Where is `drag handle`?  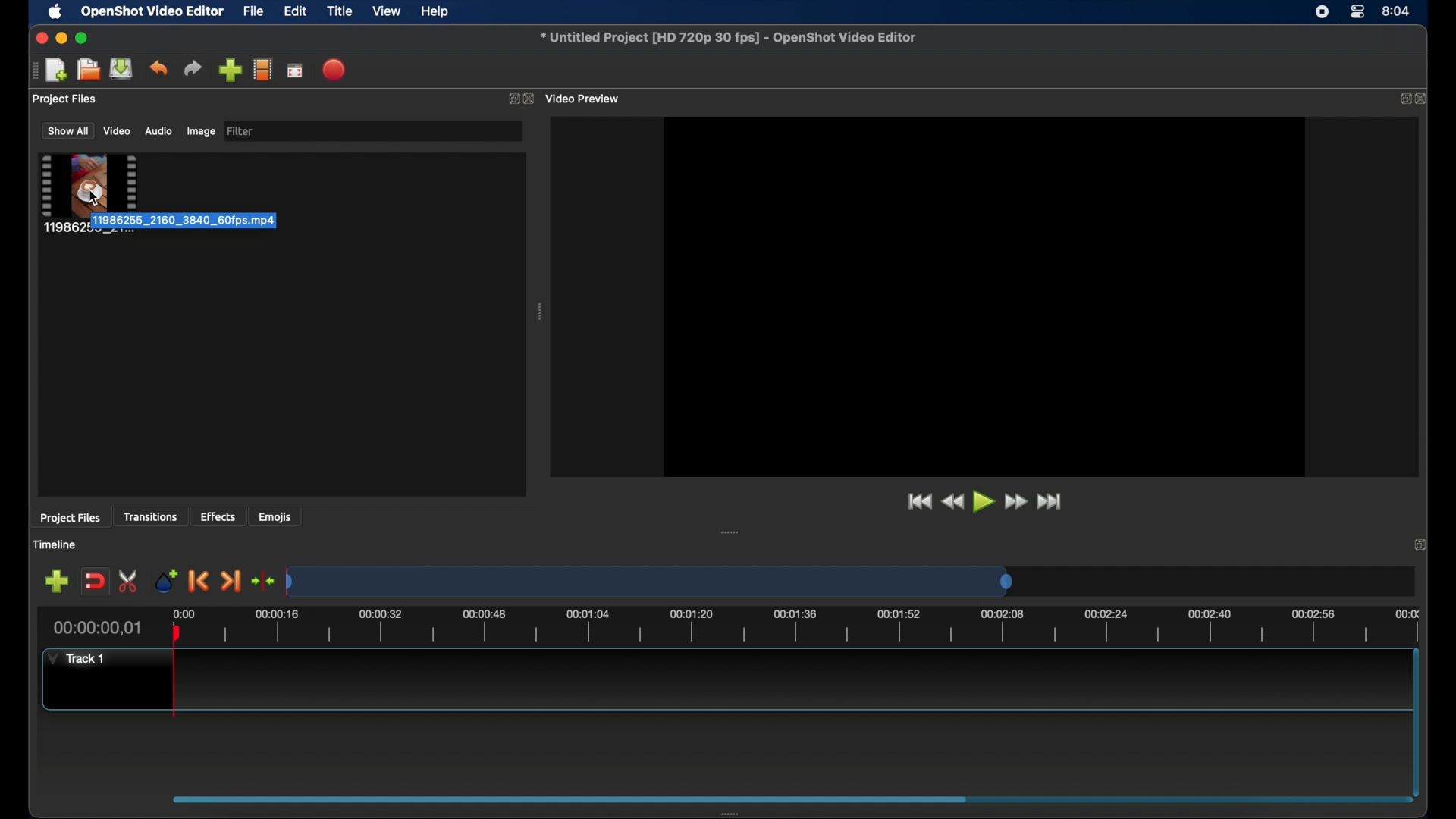
drag handle is located at coordinates (32, 71).